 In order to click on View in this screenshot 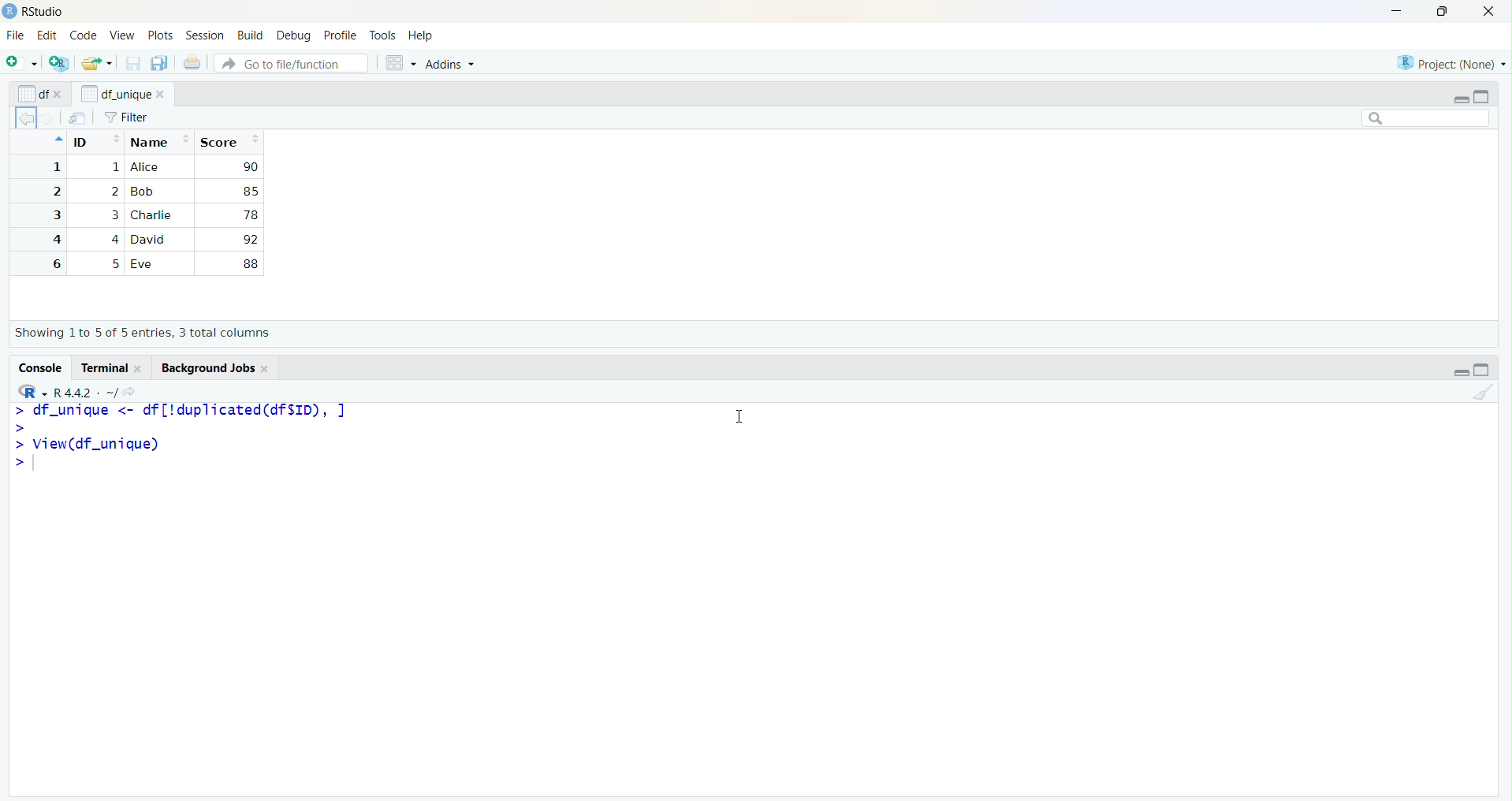, I will do `click(122, 37)`.